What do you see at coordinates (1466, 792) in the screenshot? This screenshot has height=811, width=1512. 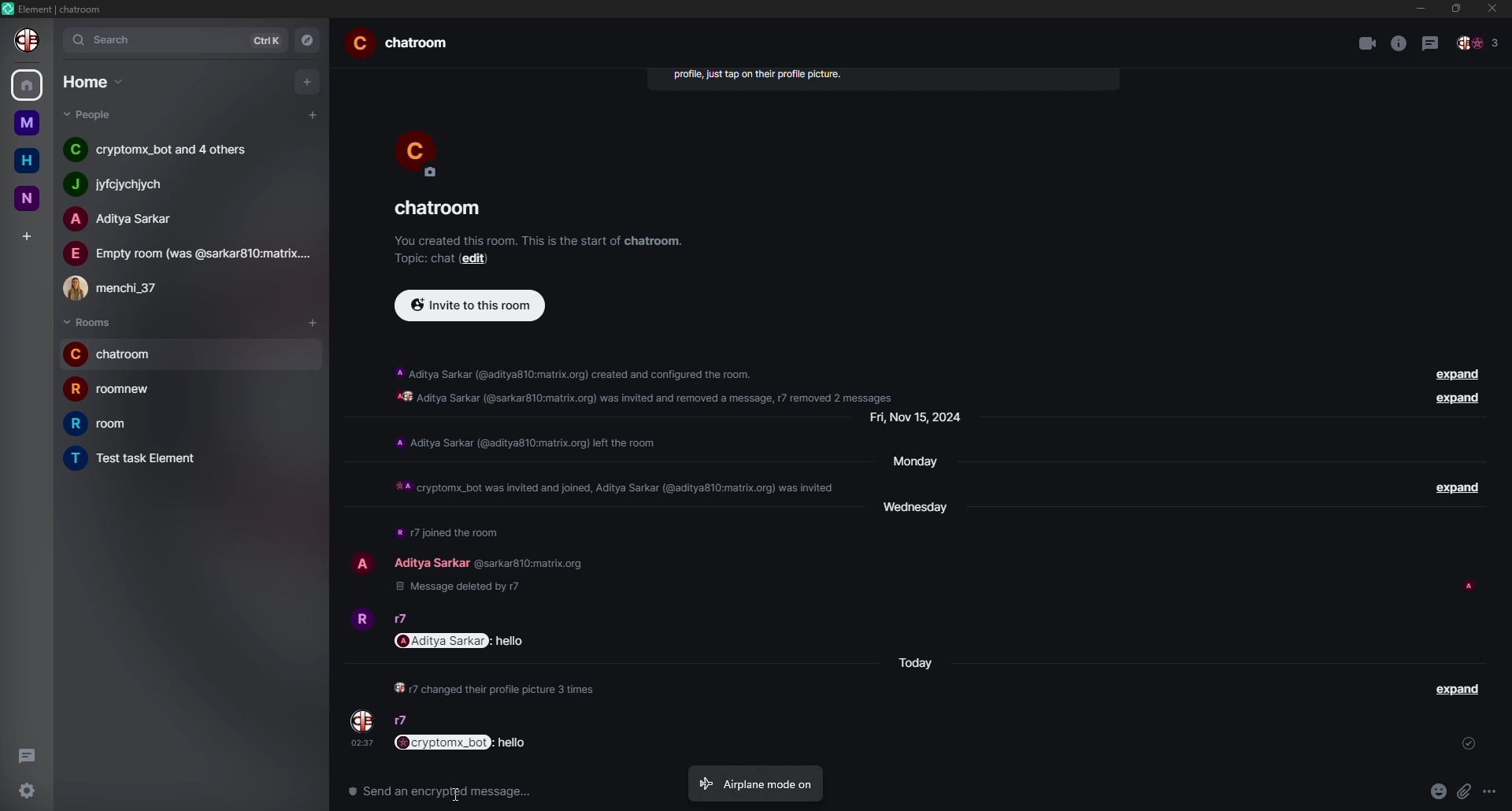 I see `attach` at bounding box center [1466, 792].